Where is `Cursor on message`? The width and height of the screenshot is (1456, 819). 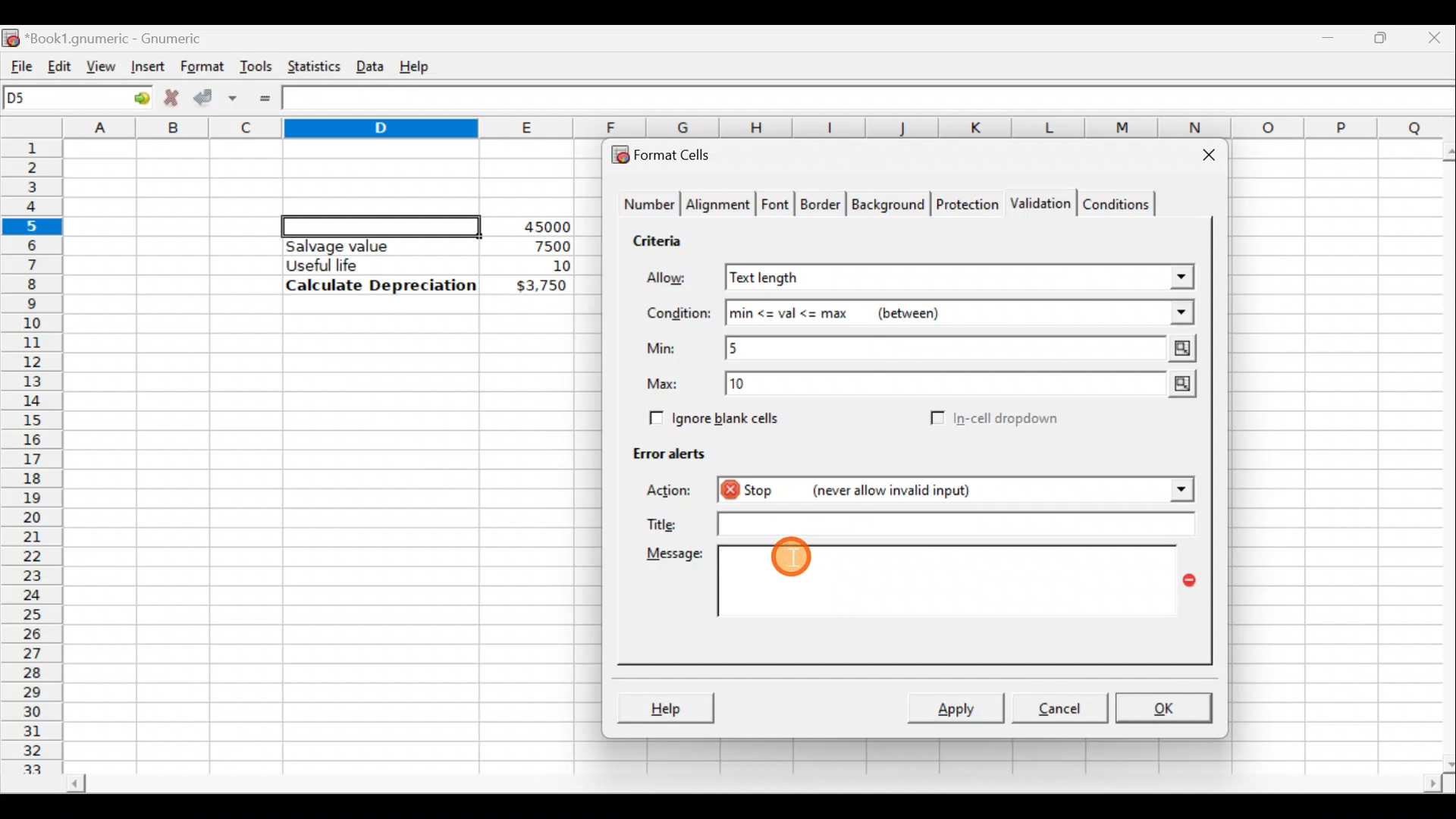
Cursor on message is located at coordinates (800, 570).